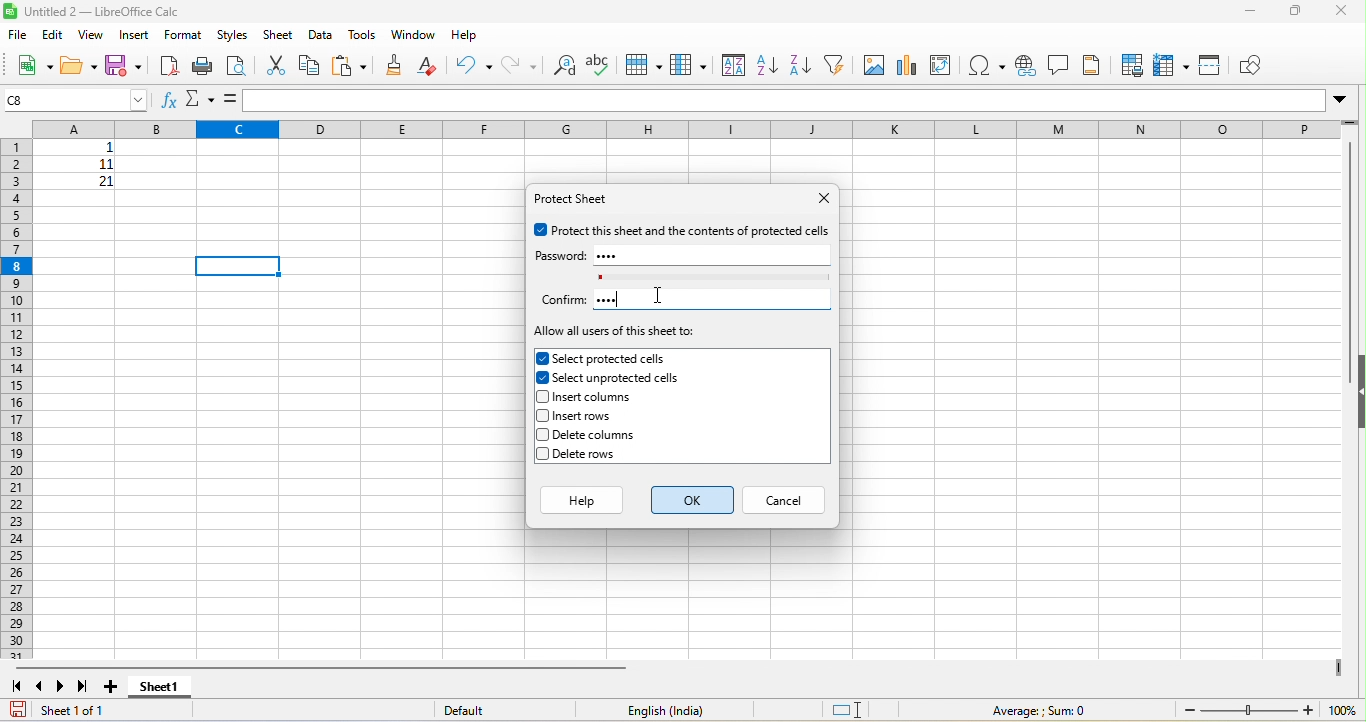 This screenshot has width=1366, height=722. I want to click on data, so click(319, 35).